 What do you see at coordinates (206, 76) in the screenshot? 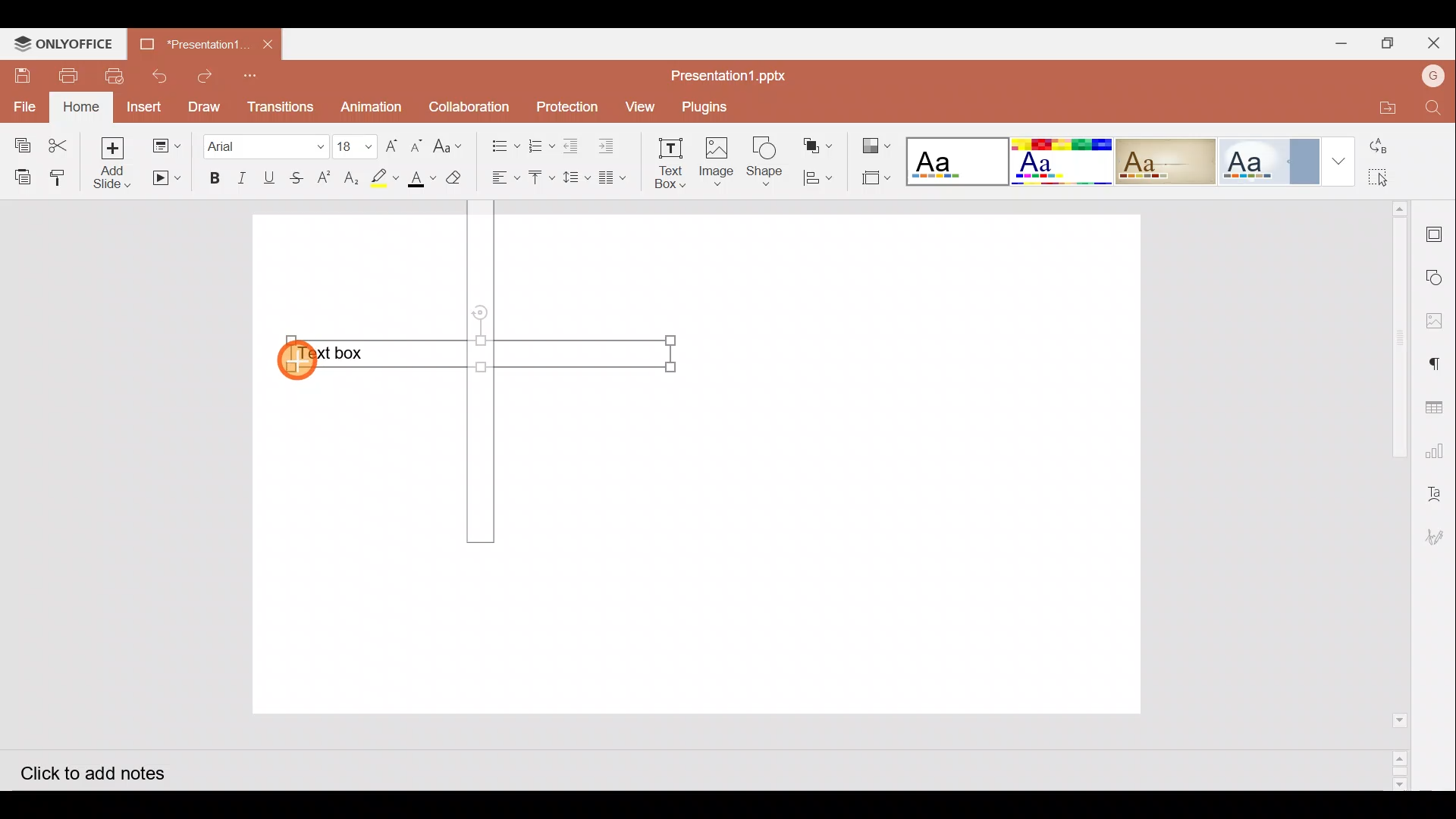
I see `Redo` at bounding box center [206, 76].